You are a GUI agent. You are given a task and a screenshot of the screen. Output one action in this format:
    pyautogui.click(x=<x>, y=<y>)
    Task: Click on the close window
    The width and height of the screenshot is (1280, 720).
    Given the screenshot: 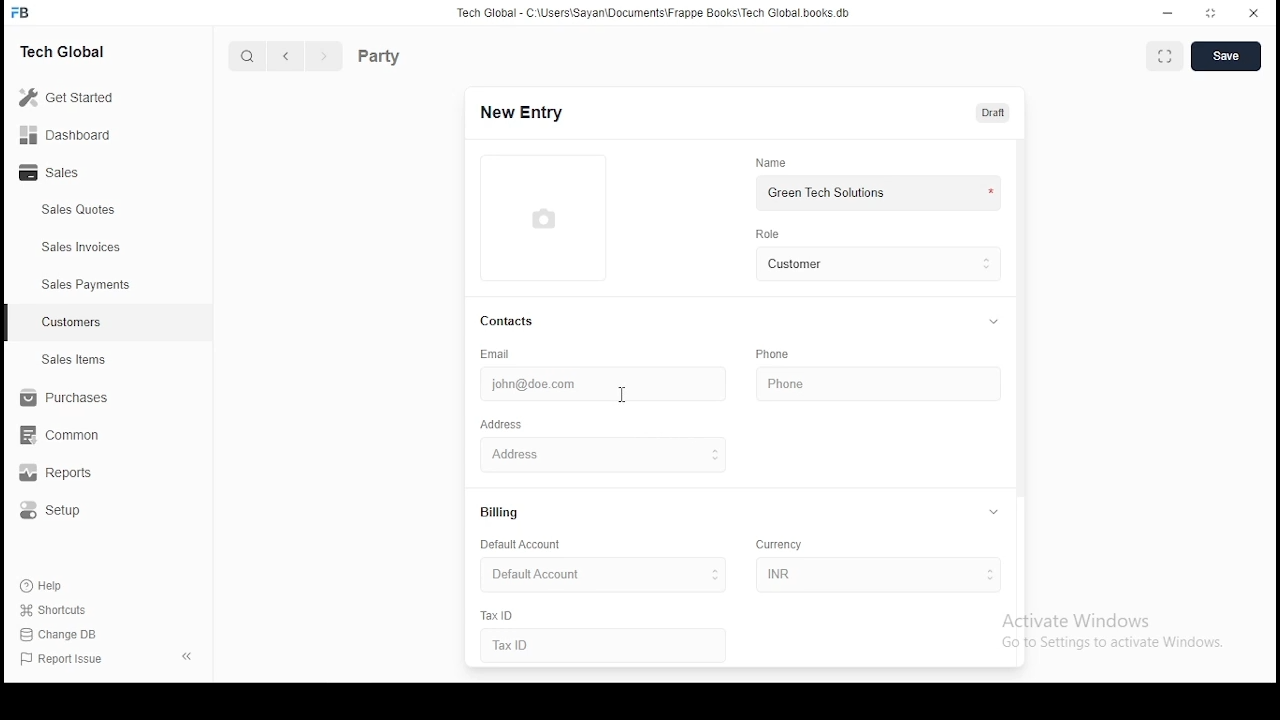 What is the action you would take?
    pyautogui.click(x=1251, y=14)
    